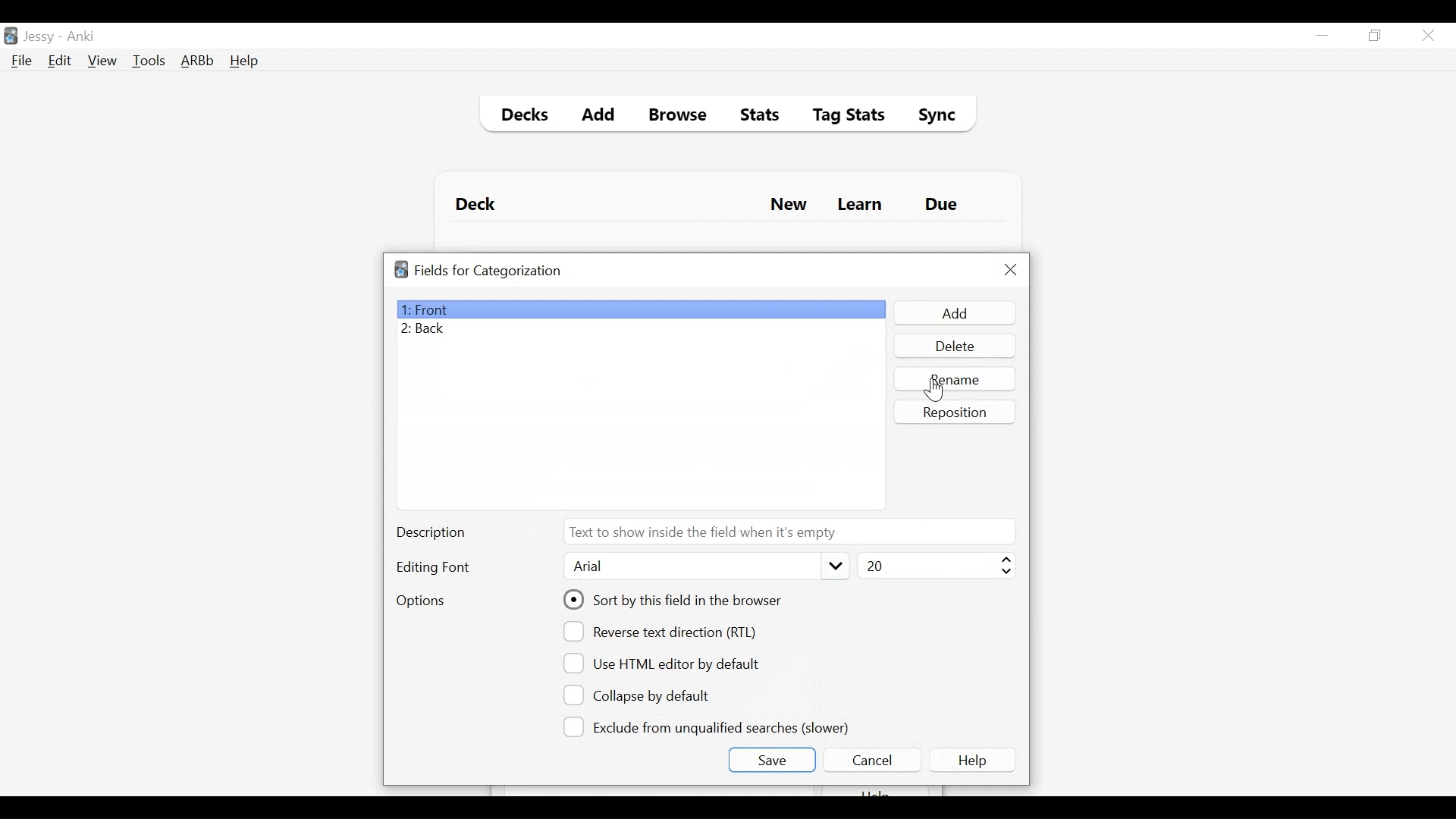  What do you see at coordinates (704, 566) in the screenshot?
I see `Select Editing Font` at bounding box center [704, 566].